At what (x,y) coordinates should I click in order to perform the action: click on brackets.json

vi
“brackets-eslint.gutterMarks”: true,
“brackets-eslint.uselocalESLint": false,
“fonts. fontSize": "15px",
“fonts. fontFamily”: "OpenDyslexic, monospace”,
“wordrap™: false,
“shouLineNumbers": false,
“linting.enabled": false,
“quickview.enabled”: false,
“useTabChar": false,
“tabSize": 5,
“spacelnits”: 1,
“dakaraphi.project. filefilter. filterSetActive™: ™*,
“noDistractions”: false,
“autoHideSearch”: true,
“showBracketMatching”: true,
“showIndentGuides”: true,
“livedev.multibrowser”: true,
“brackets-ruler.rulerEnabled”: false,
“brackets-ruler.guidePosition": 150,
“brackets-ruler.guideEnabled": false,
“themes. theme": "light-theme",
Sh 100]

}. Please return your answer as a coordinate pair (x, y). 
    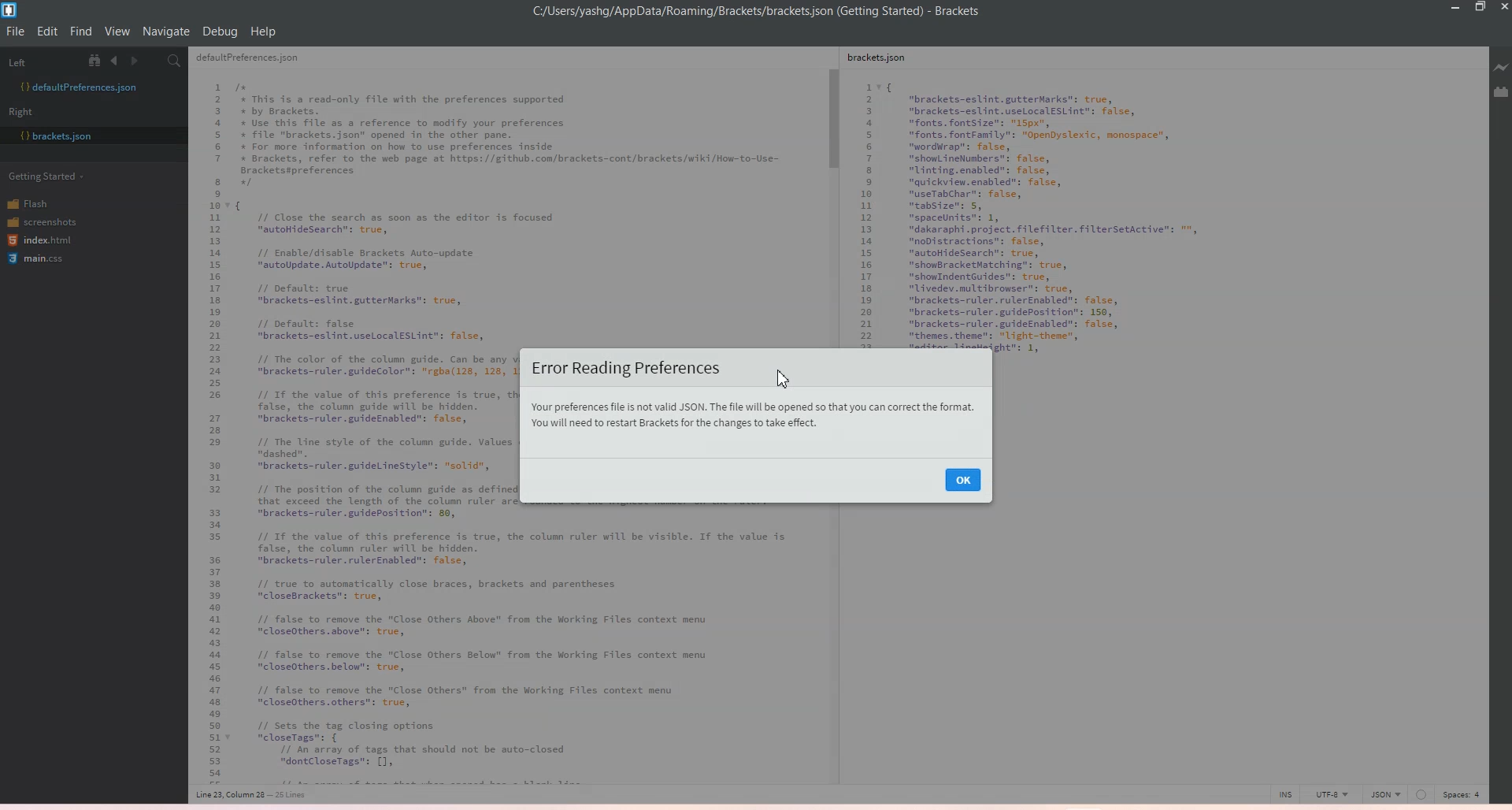
    Looking at the image, I should click on (1070, 217).